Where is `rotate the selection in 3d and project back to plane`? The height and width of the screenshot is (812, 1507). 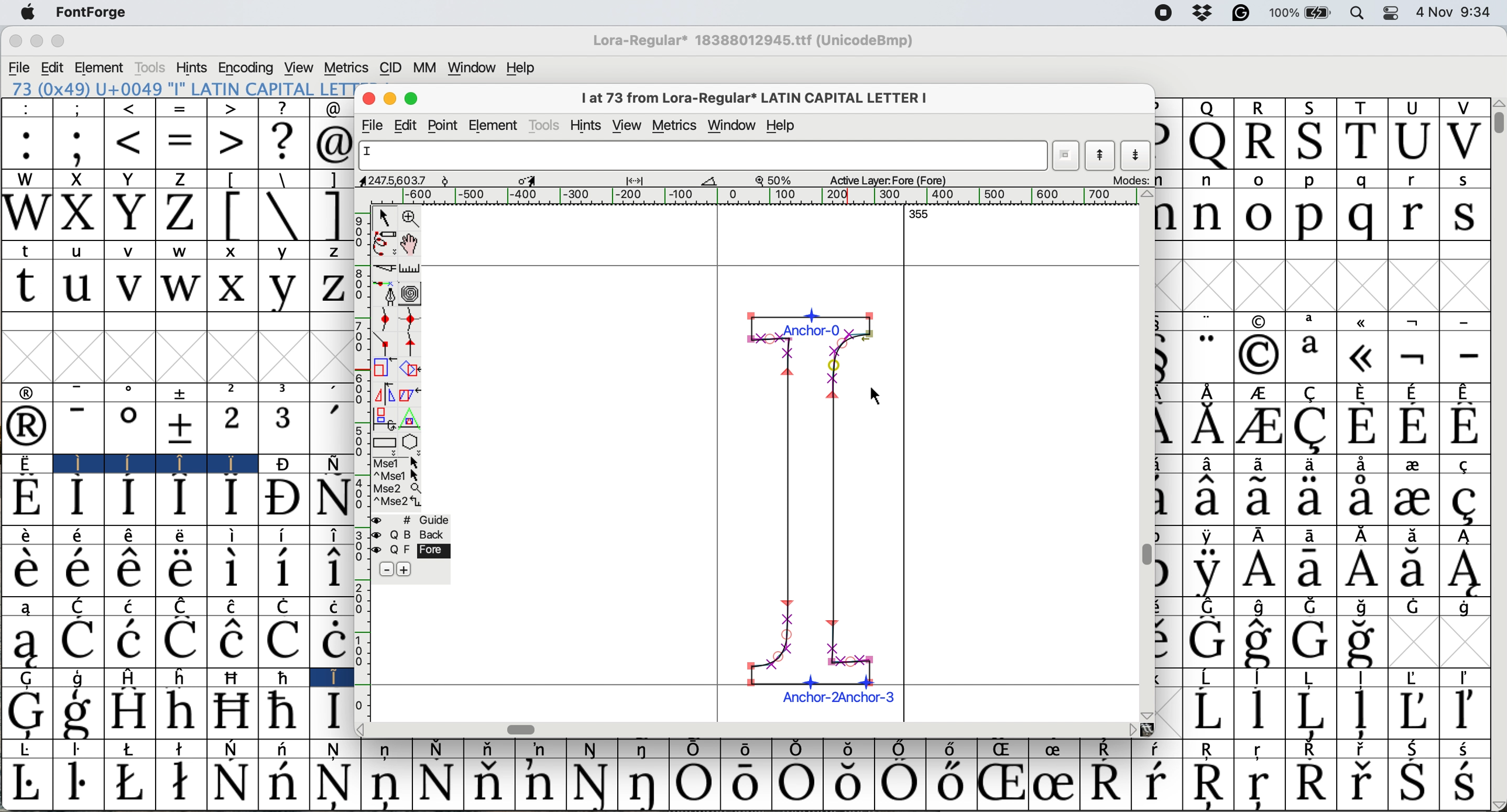
rotate the selection in 3d and project back to plane is located at coordinates (384, 417).